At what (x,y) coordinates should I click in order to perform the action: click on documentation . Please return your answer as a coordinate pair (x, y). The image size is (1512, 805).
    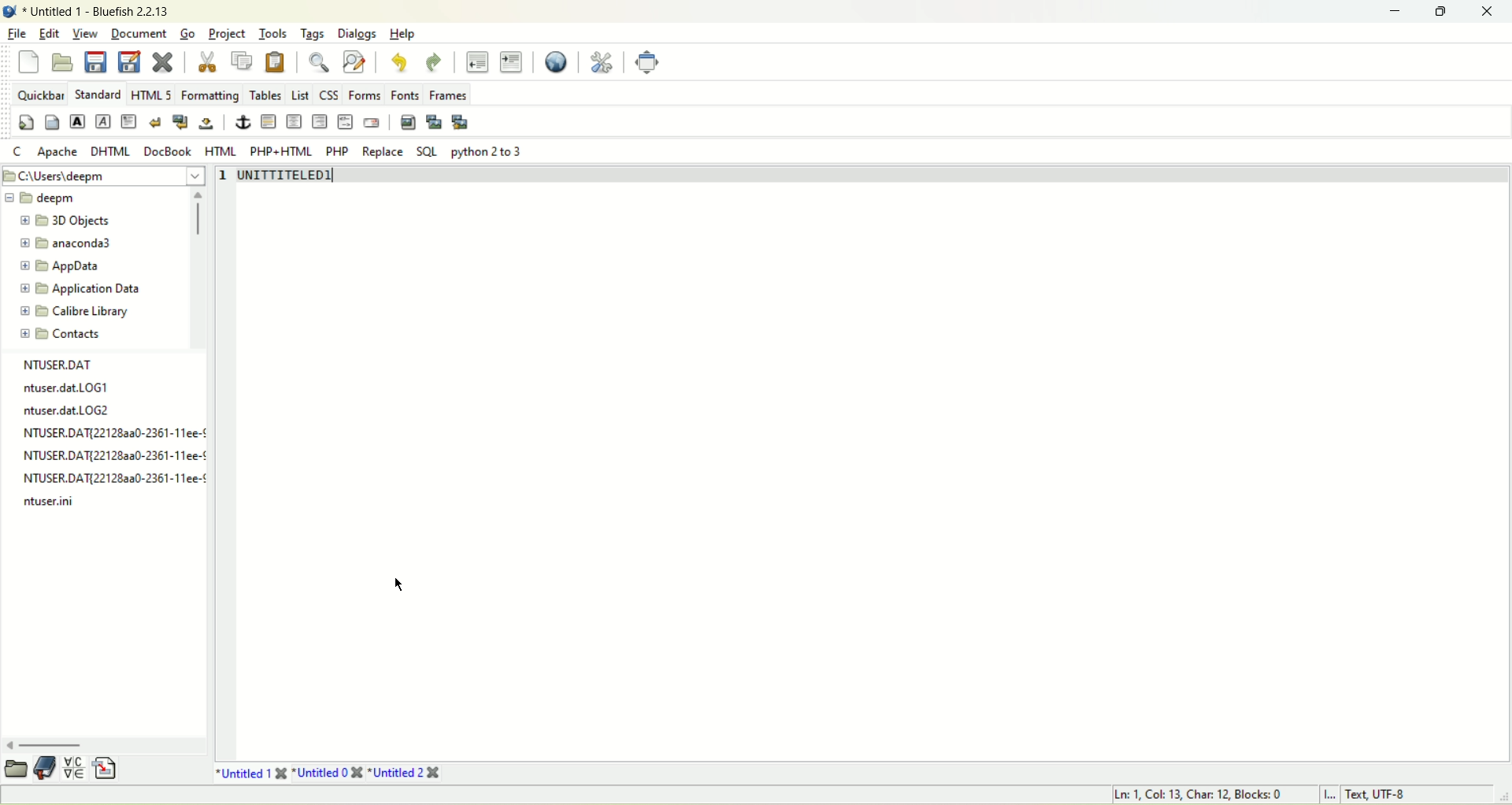
    Looking at the image, I should click on (44, 770).